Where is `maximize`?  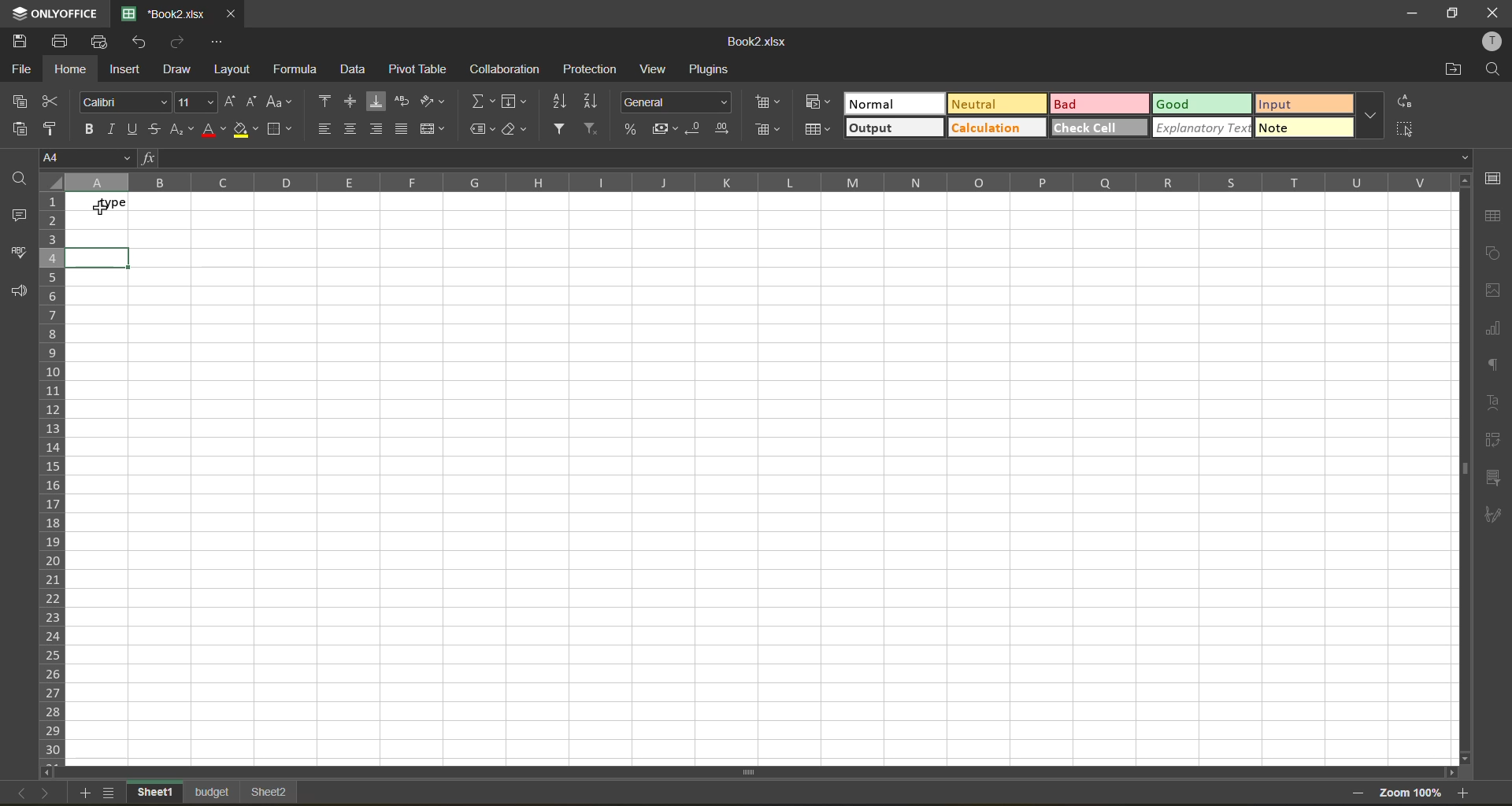
maximize is located at coordinates (1455, 13).